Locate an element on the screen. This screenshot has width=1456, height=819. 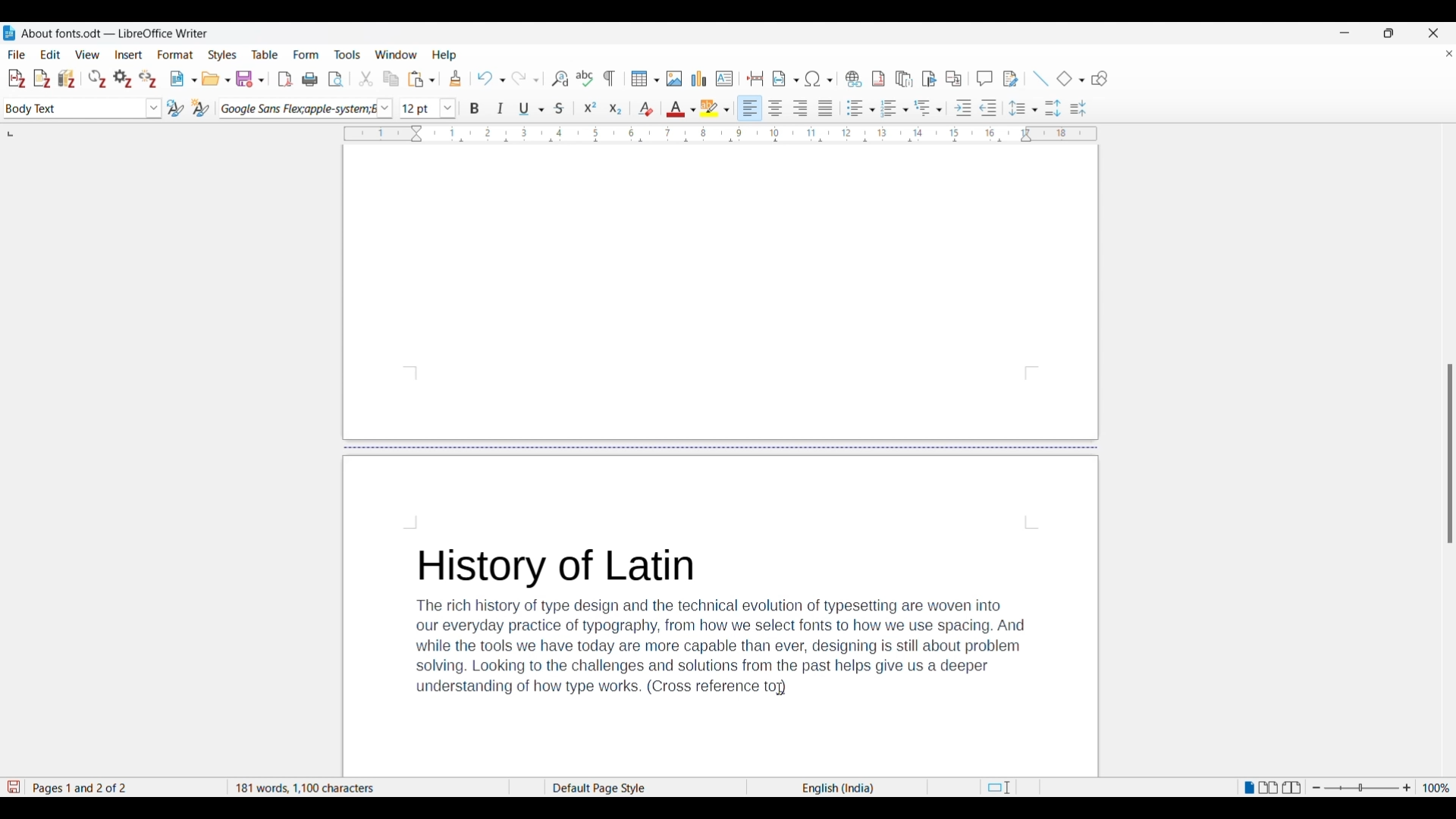
Italics is located at coordinates (501, 108).